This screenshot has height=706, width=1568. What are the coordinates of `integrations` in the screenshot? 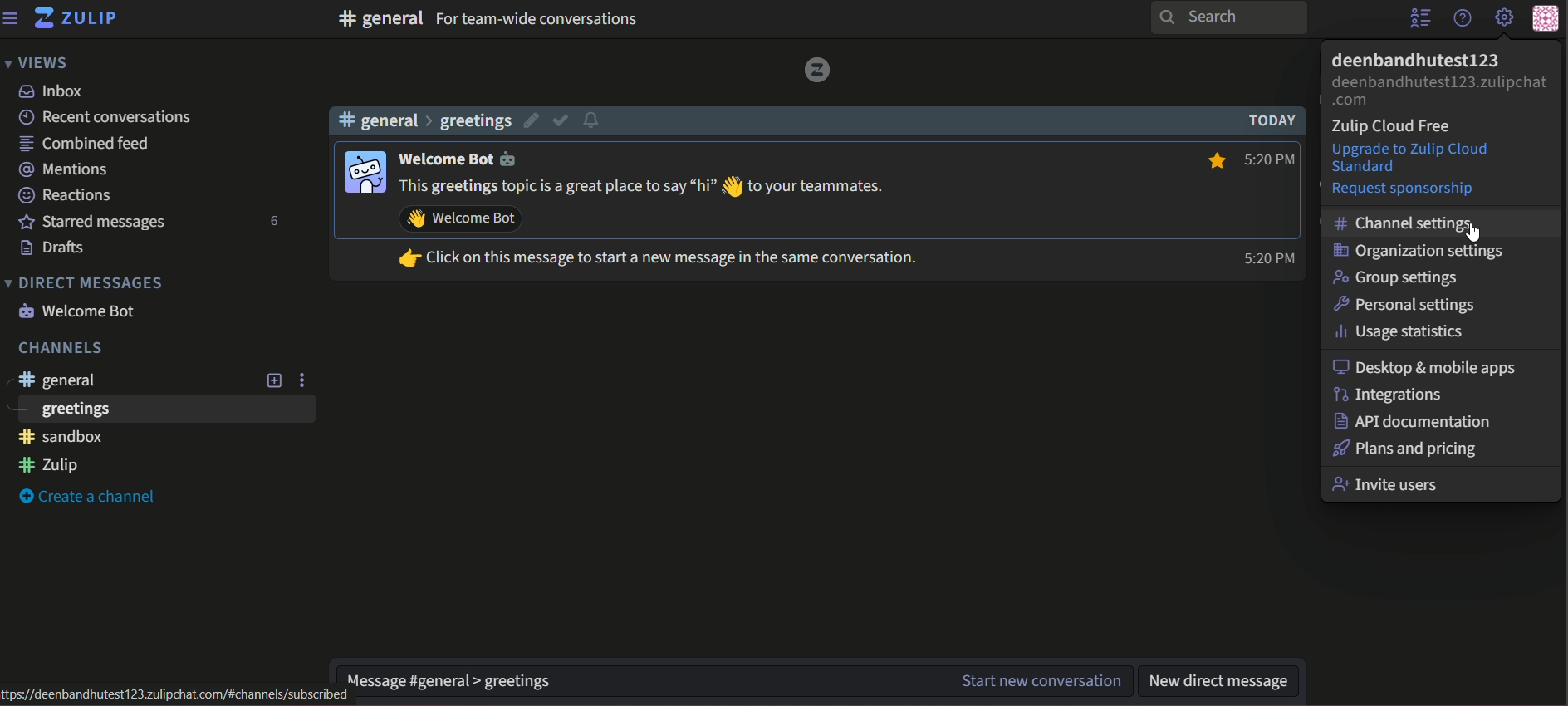 It's located at (1392, 395).